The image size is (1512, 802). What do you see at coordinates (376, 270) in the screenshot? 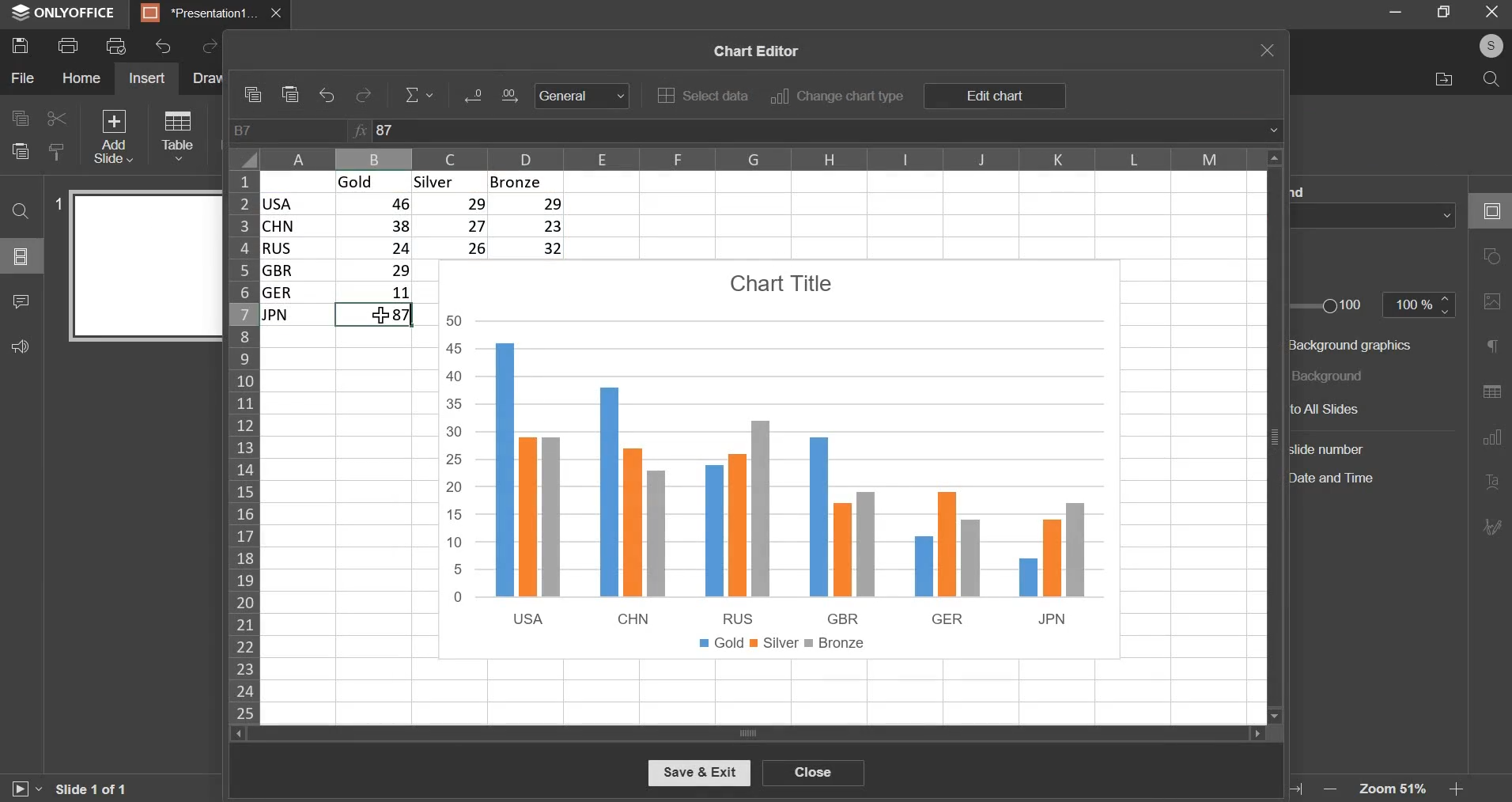
I see `| 29` at bounding box center [376, 270].